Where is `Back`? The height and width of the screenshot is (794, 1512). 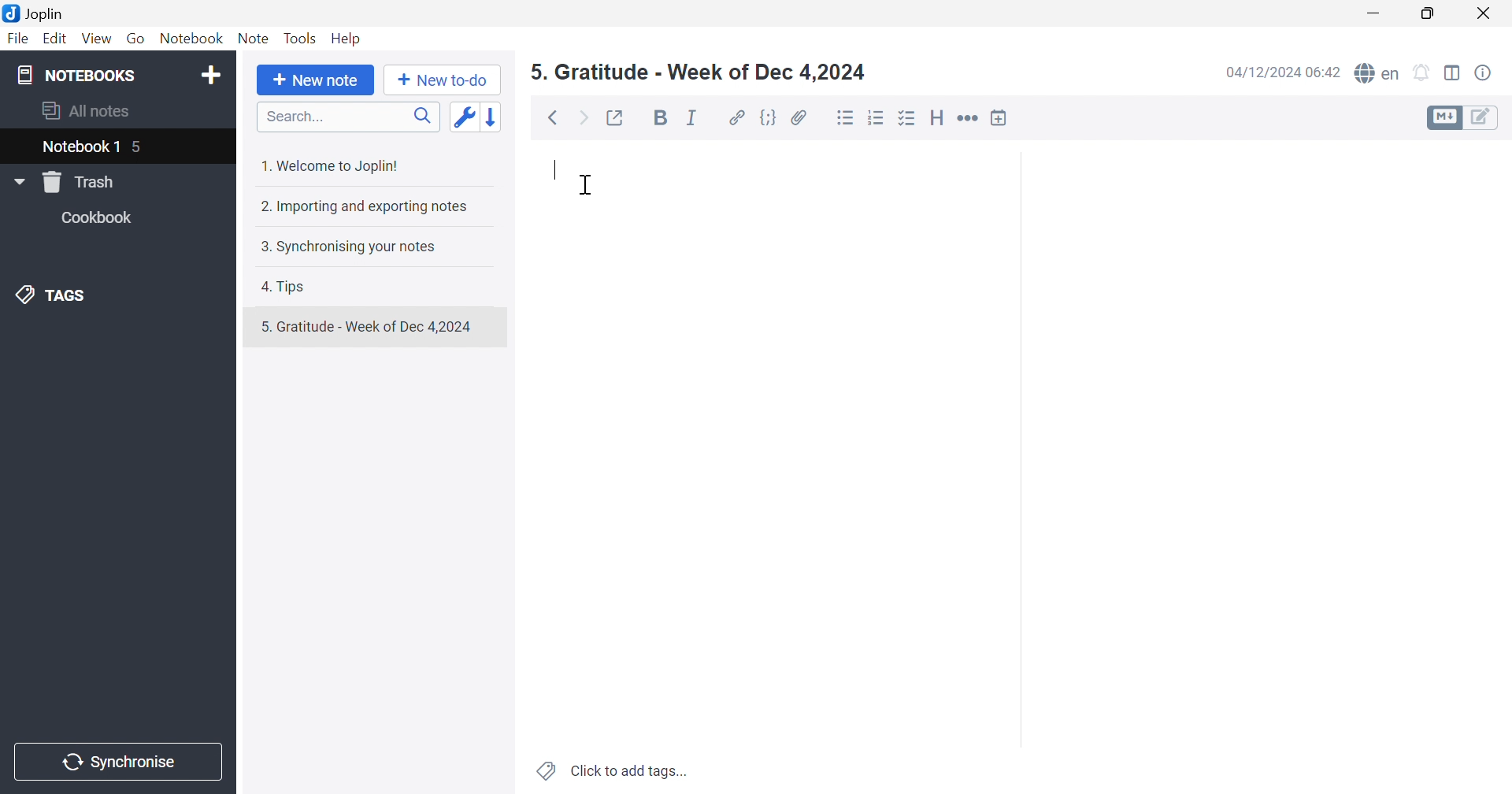 Back is located at coordinates (551, 118).